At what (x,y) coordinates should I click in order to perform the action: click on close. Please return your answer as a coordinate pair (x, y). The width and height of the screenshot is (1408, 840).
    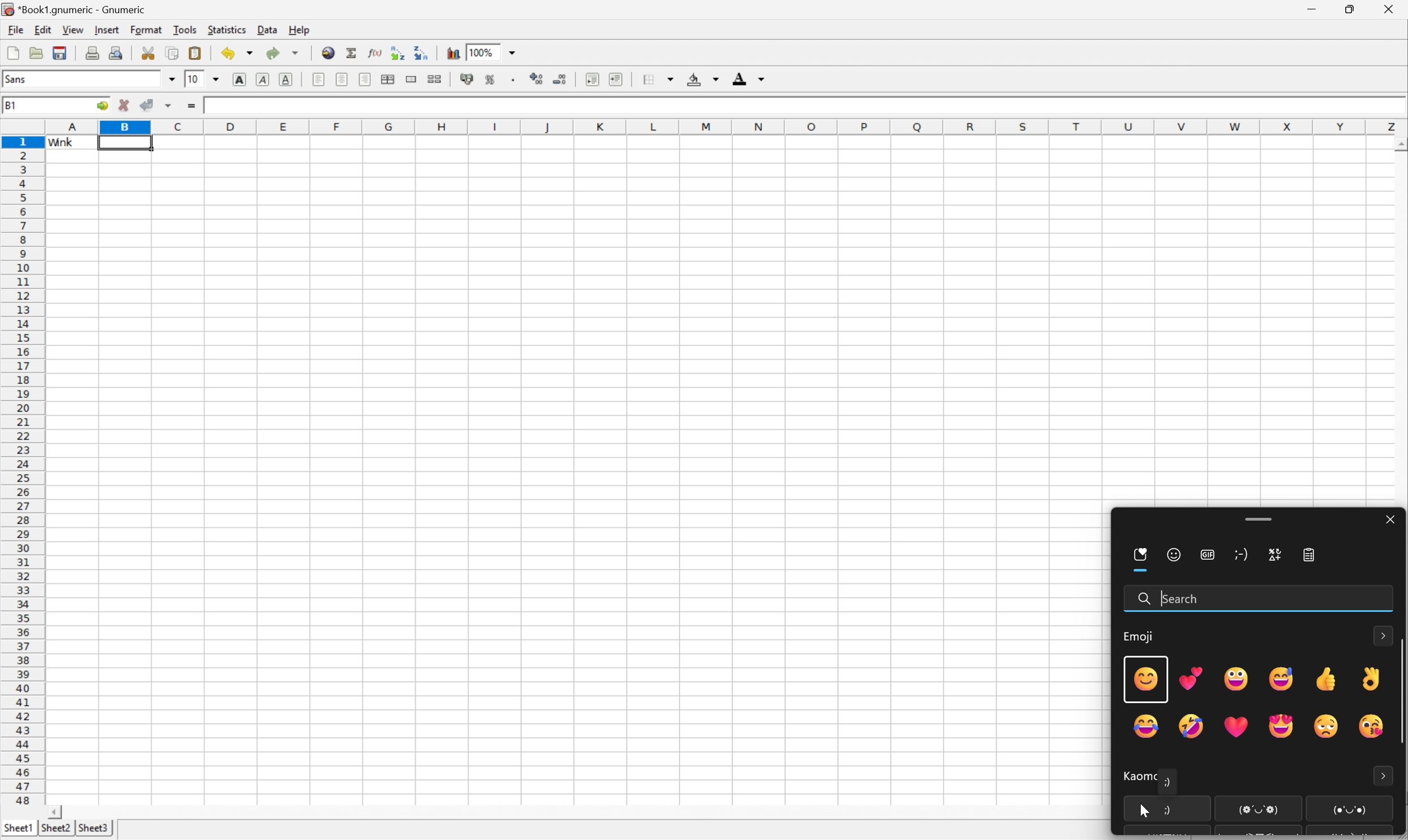
    Looking at the image, I should click on (1389, 521).